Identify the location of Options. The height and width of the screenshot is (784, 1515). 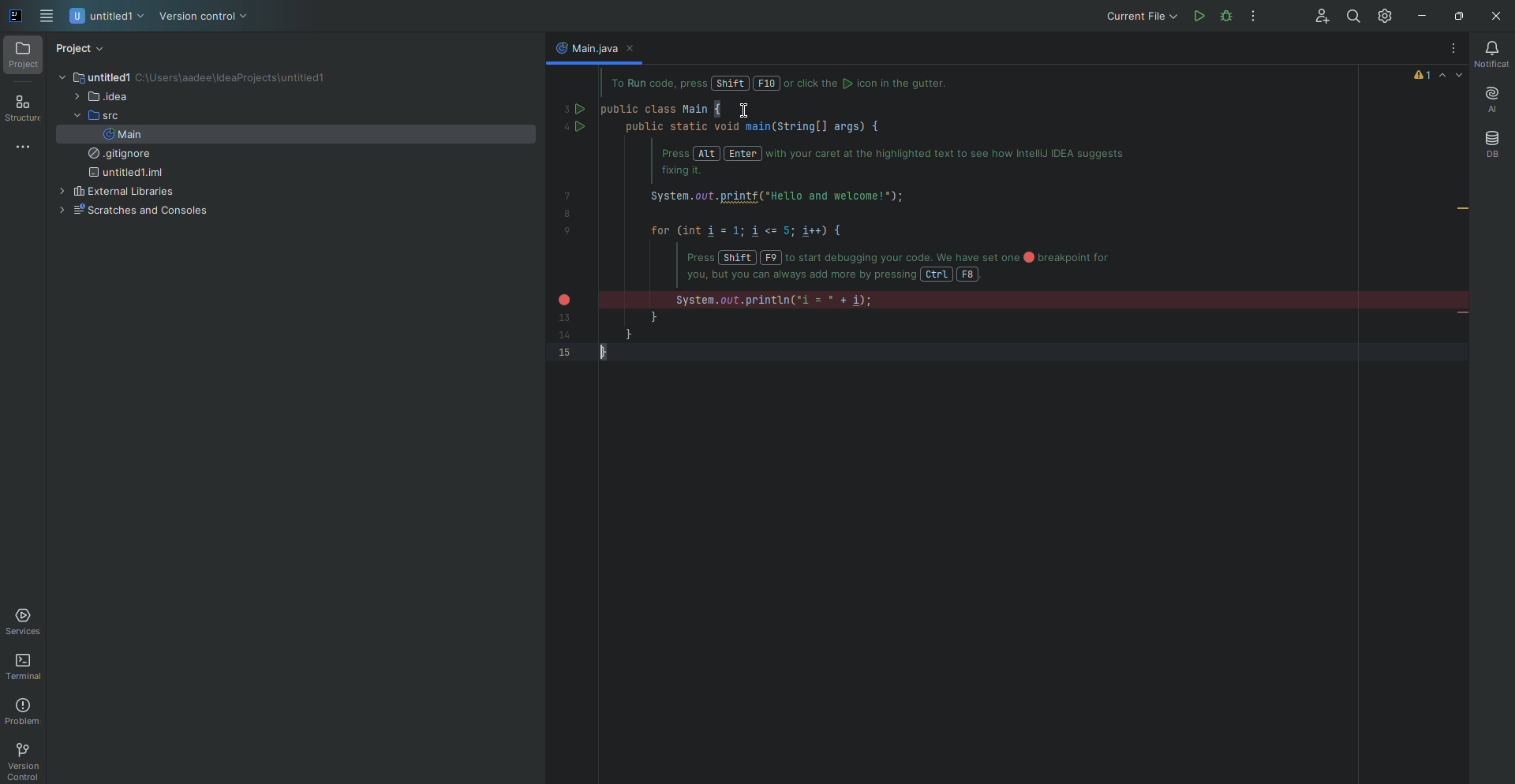
(1449, 49).